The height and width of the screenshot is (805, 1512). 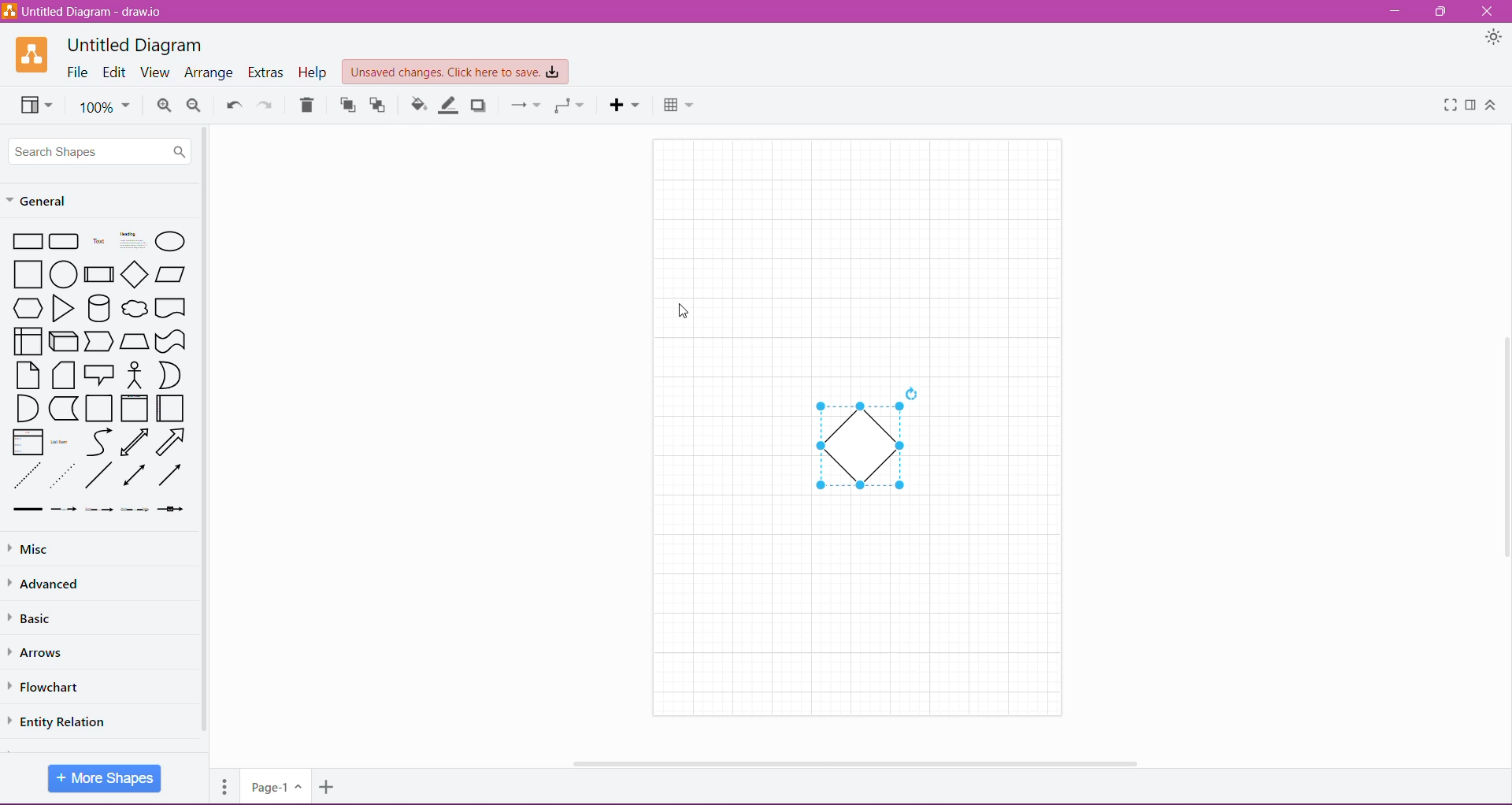 I want to click on Table, so click(x=678, y=106).